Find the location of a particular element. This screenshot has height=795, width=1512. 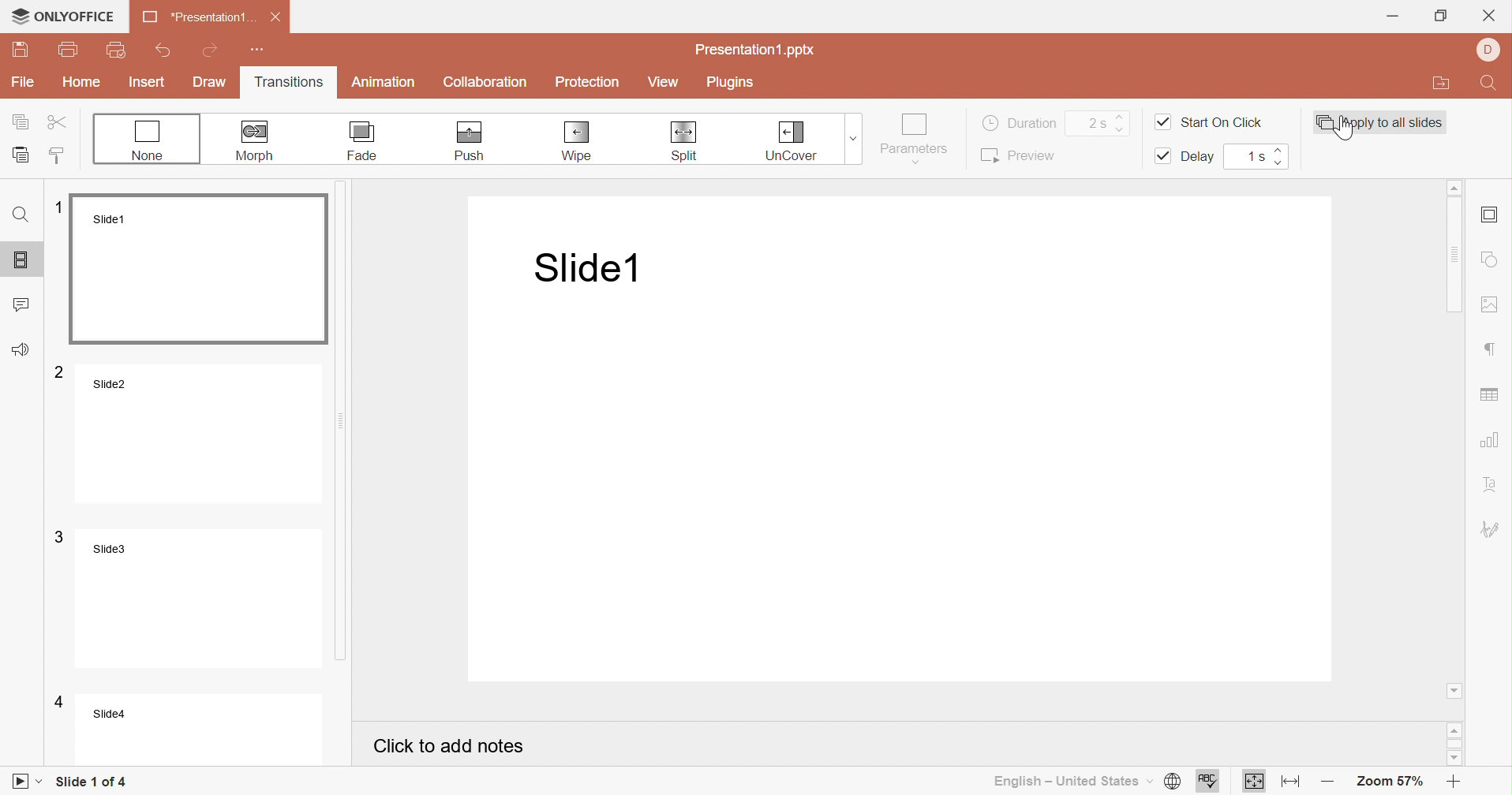

Increase duration is located at coordinates (1121, 113).